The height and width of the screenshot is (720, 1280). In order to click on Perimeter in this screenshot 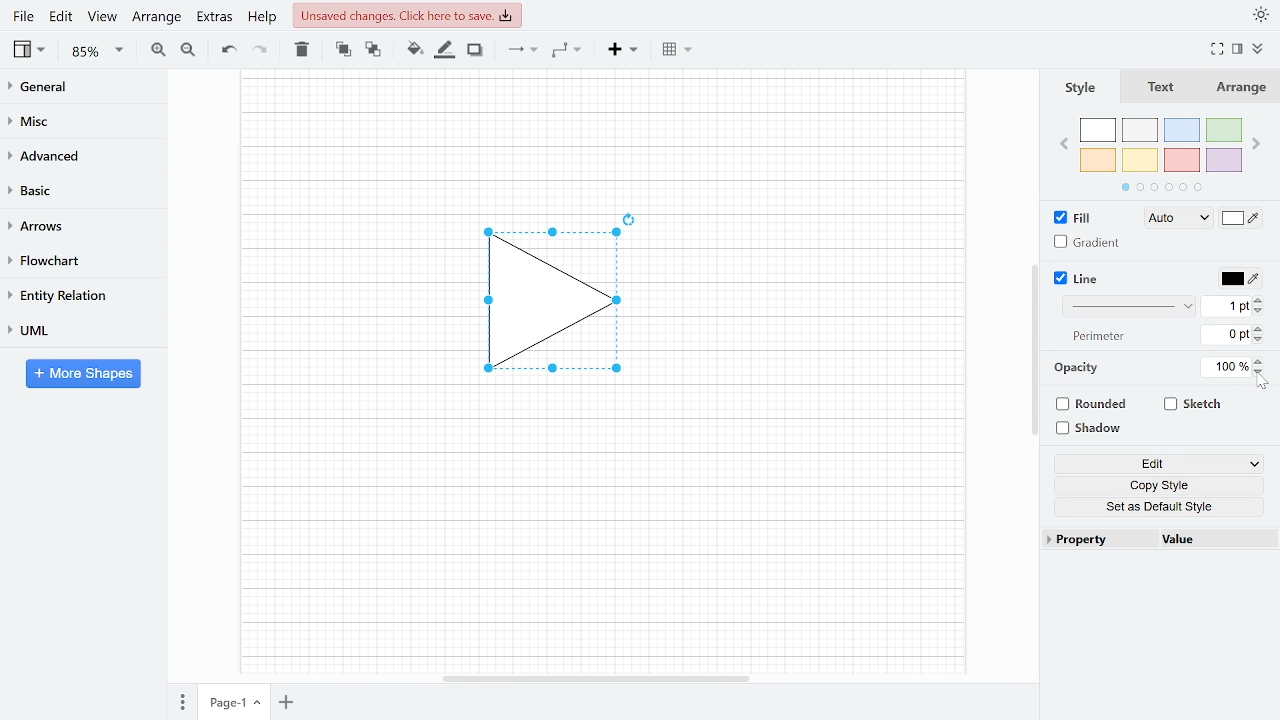, I will do `click(1095, 337)`.